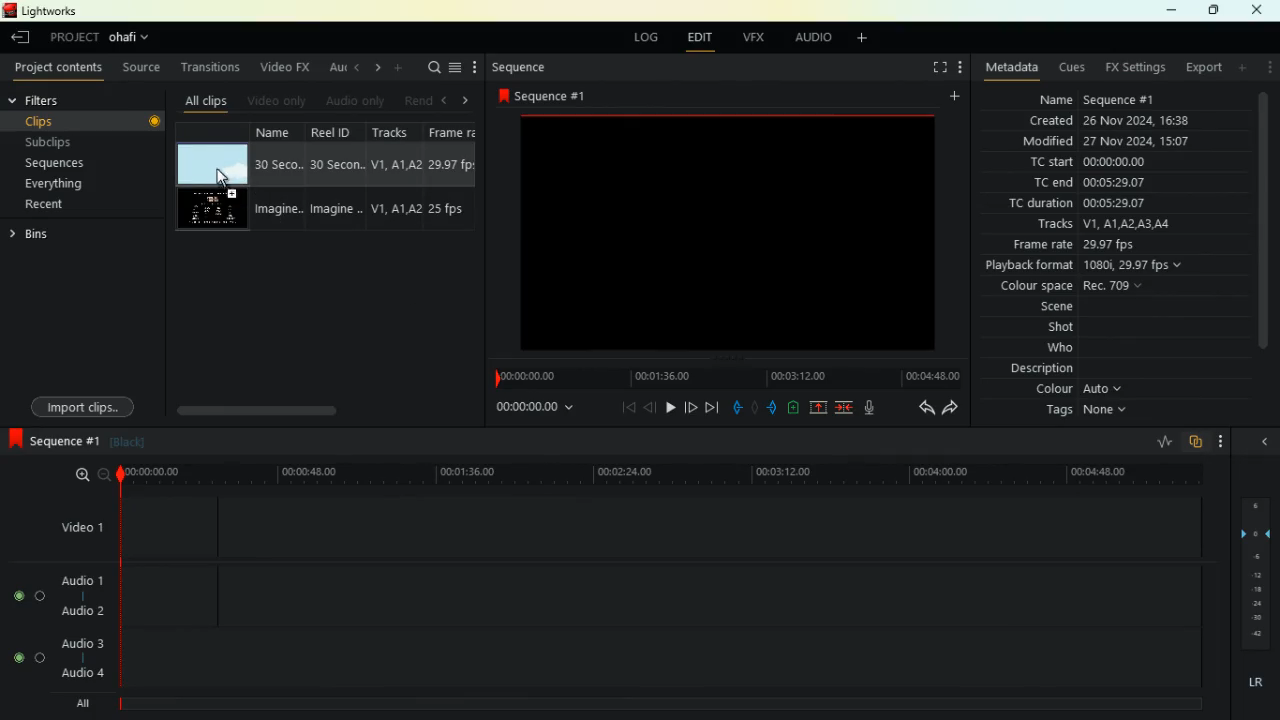  I want to click on scroll, so click(305, 410).